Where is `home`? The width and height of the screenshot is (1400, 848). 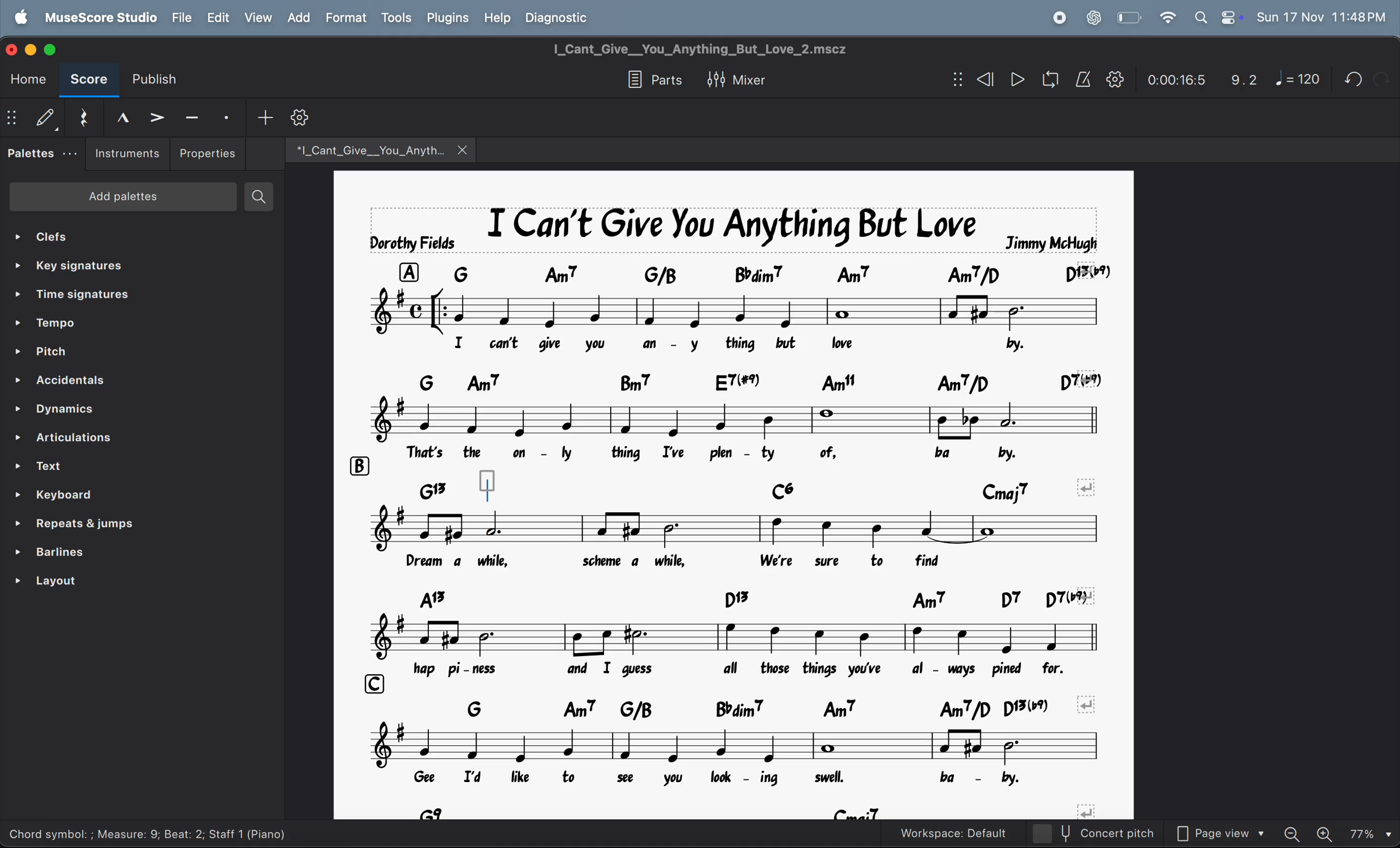 home is located at coordinates (27, 80).